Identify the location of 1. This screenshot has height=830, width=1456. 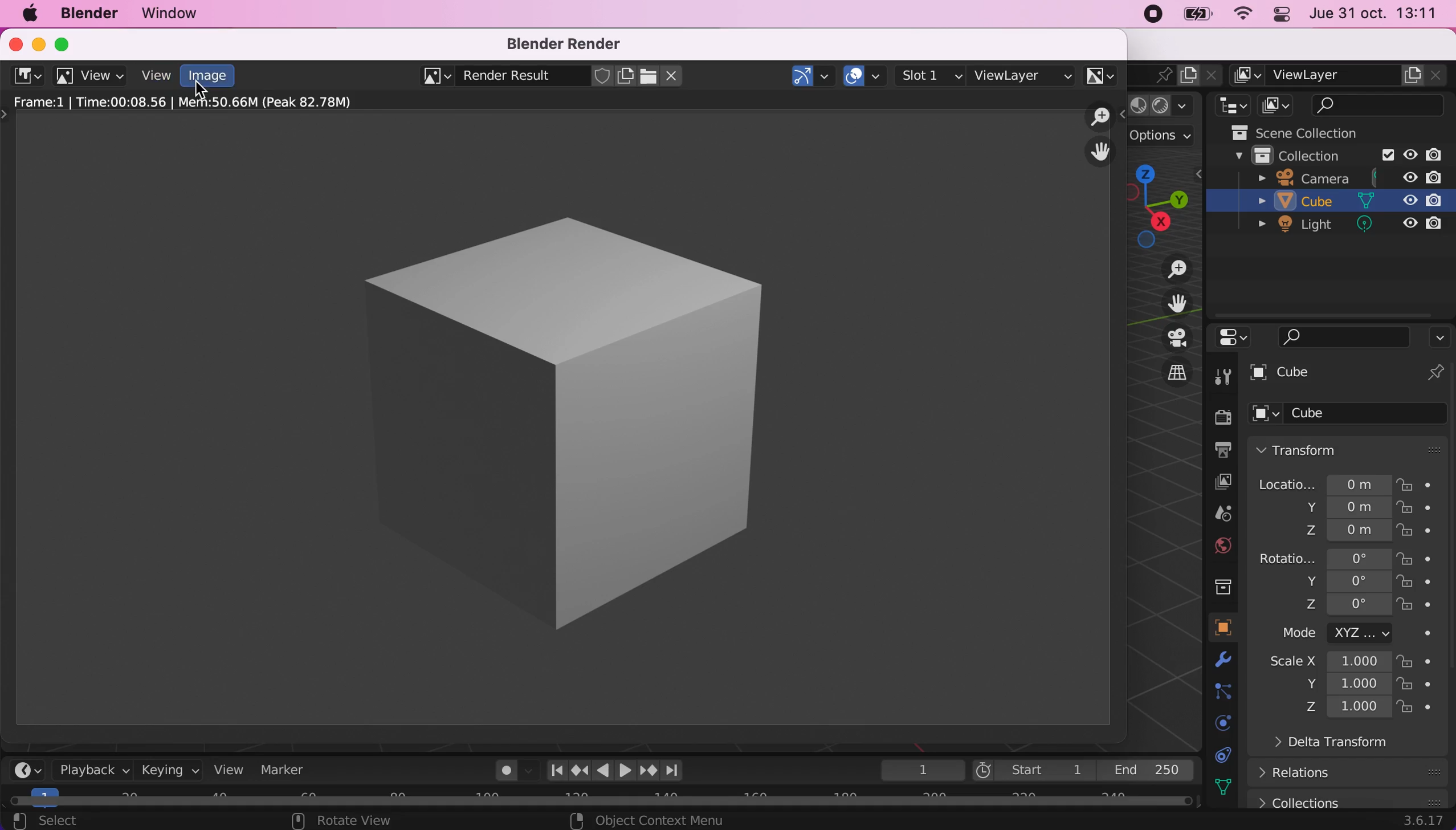
(916, 770).